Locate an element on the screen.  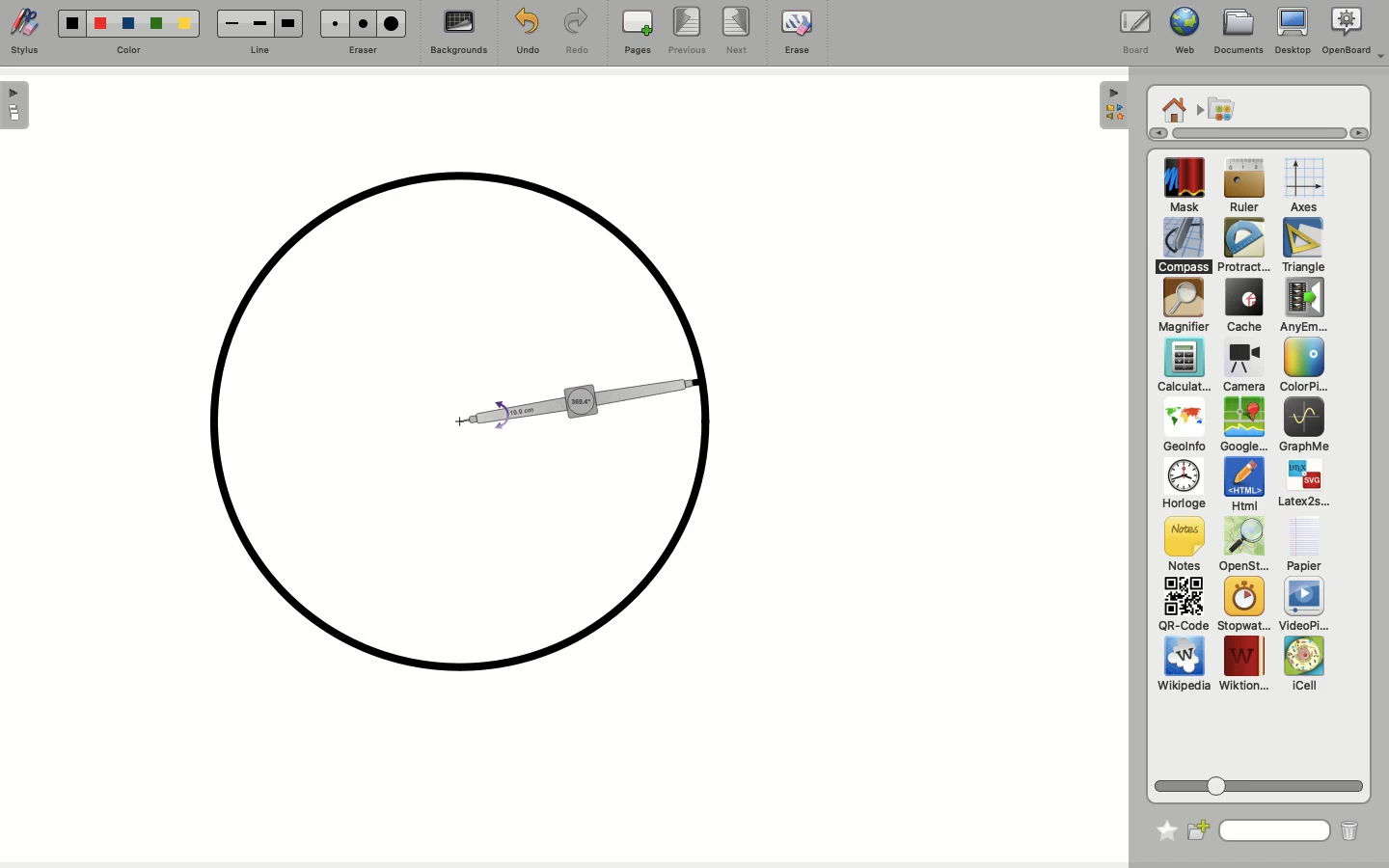
Next is located at coordinates (739, 32).